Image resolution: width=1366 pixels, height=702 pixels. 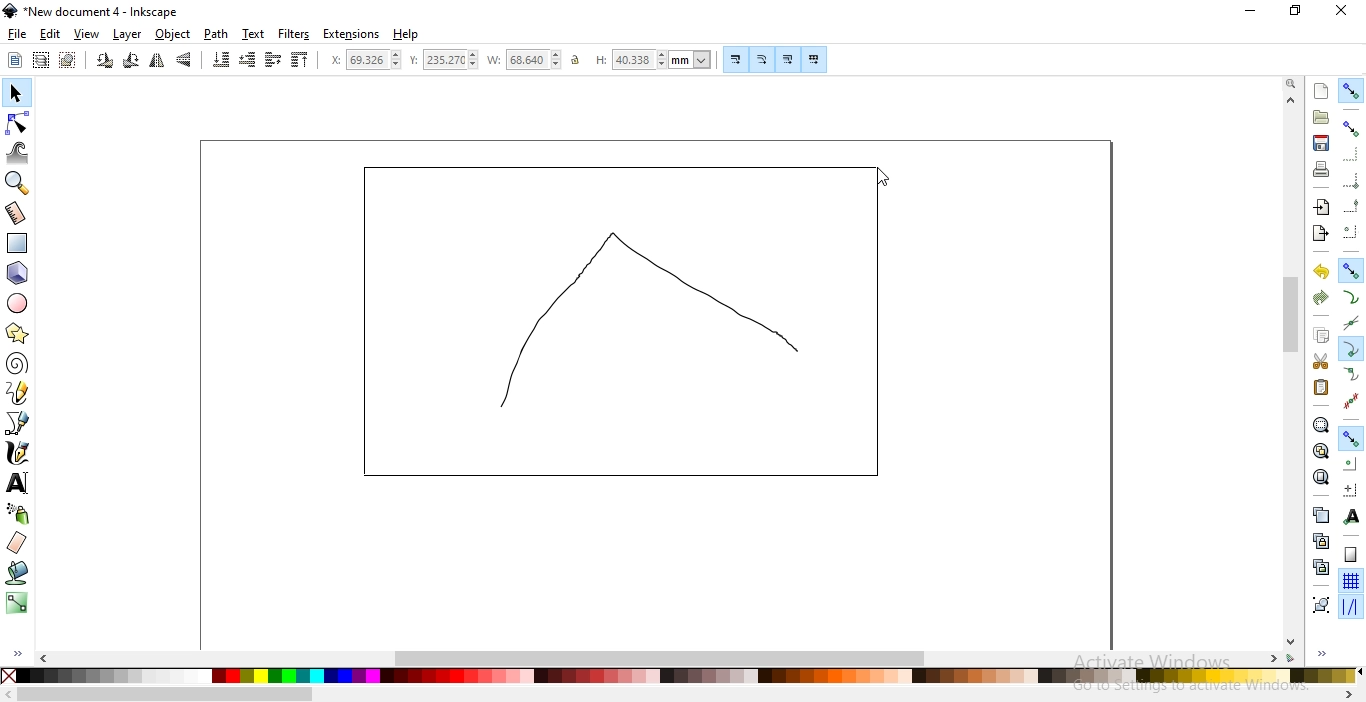 I want to click on snap to grids, so click(x=1350, y=580).